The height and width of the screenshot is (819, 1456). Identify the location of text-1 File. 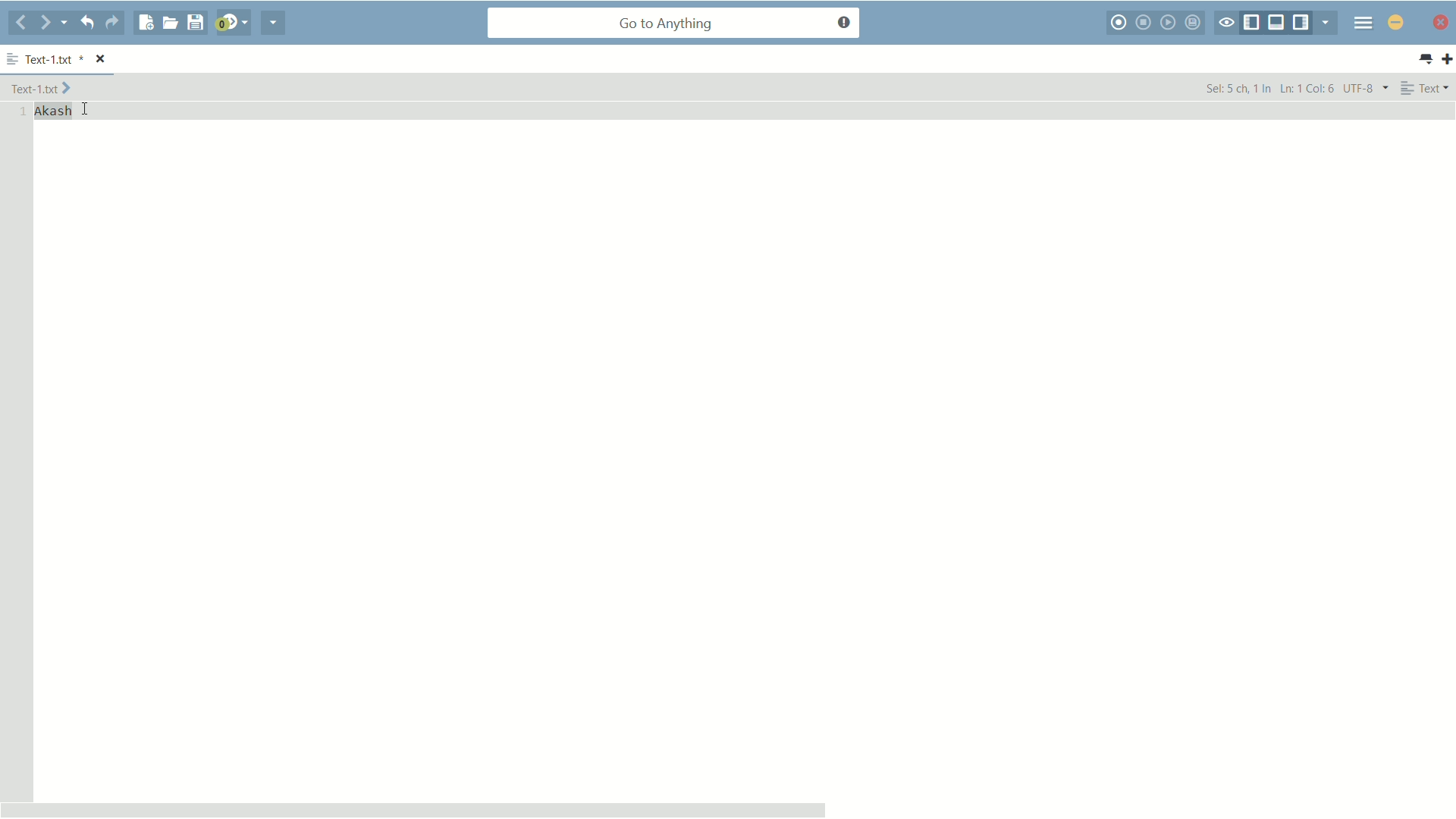
(41, 87).